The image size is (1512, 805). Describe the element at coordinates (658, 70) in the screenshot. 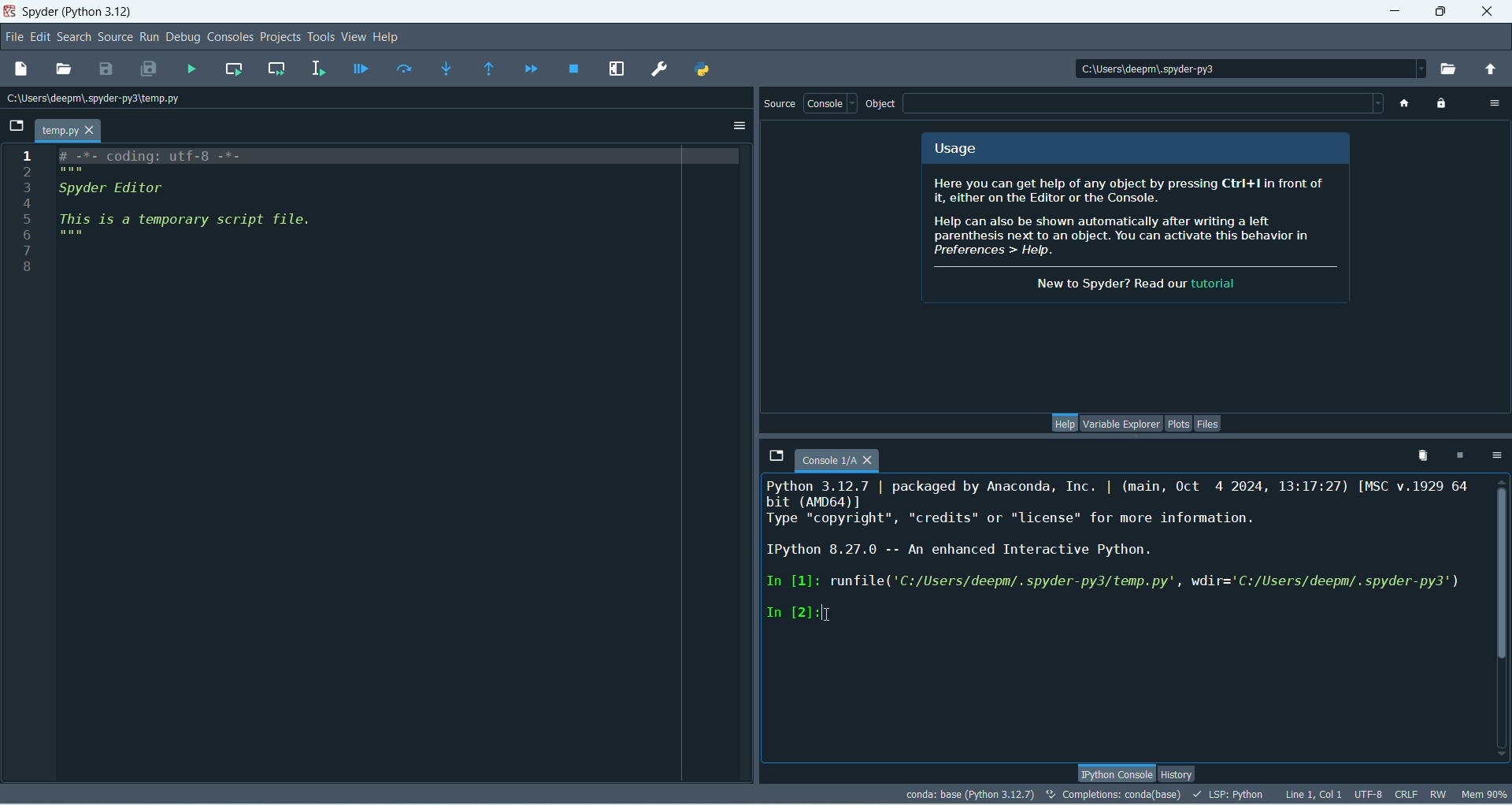

I see `preferences` at that location.